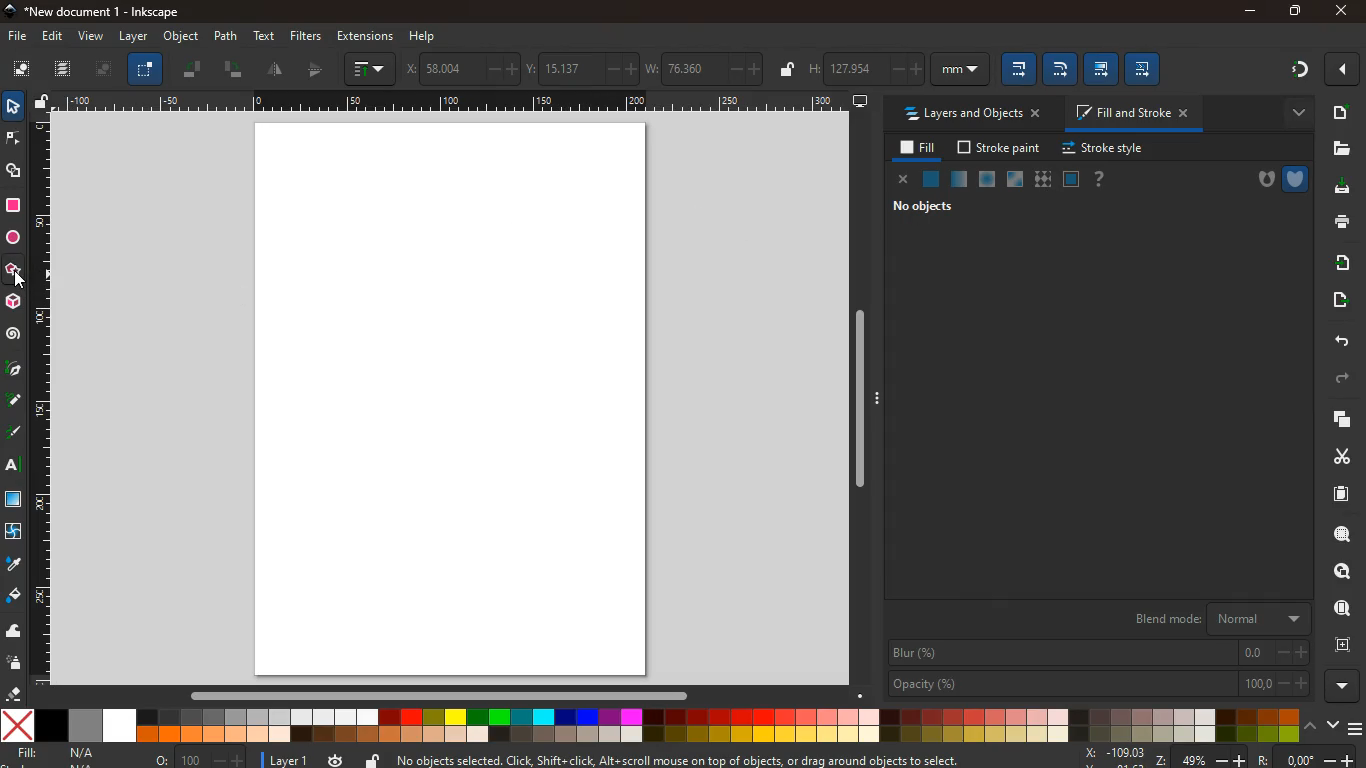 Image resolution: width=1366 pixels, height=768 pixels. What do you see at coordinates (14, 662) in the screenshot?
I see `spray` at bounding box center [14, 662].